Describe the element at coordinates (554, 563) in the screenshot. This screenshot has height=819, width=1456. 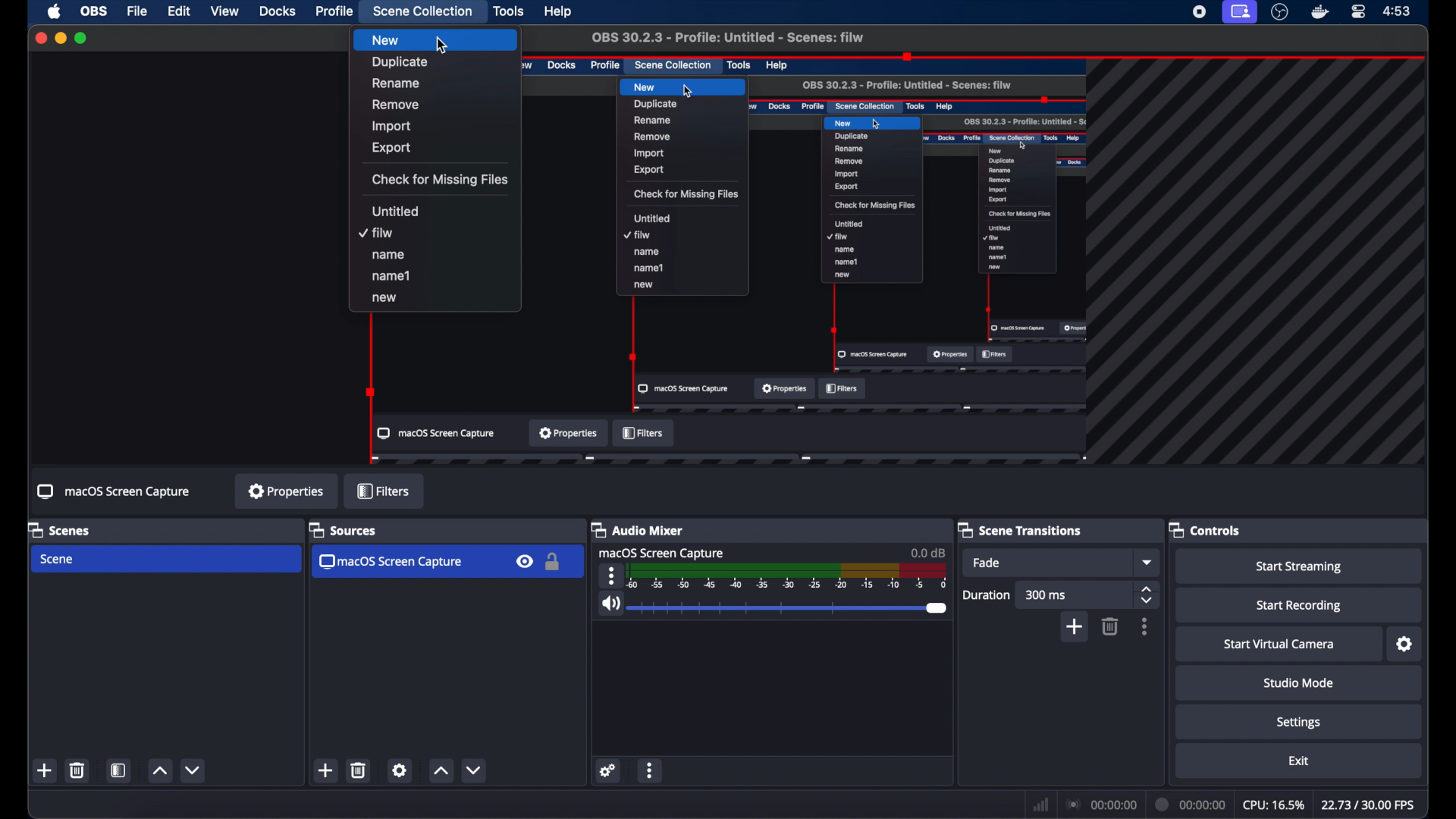
I see `lock` at that location.